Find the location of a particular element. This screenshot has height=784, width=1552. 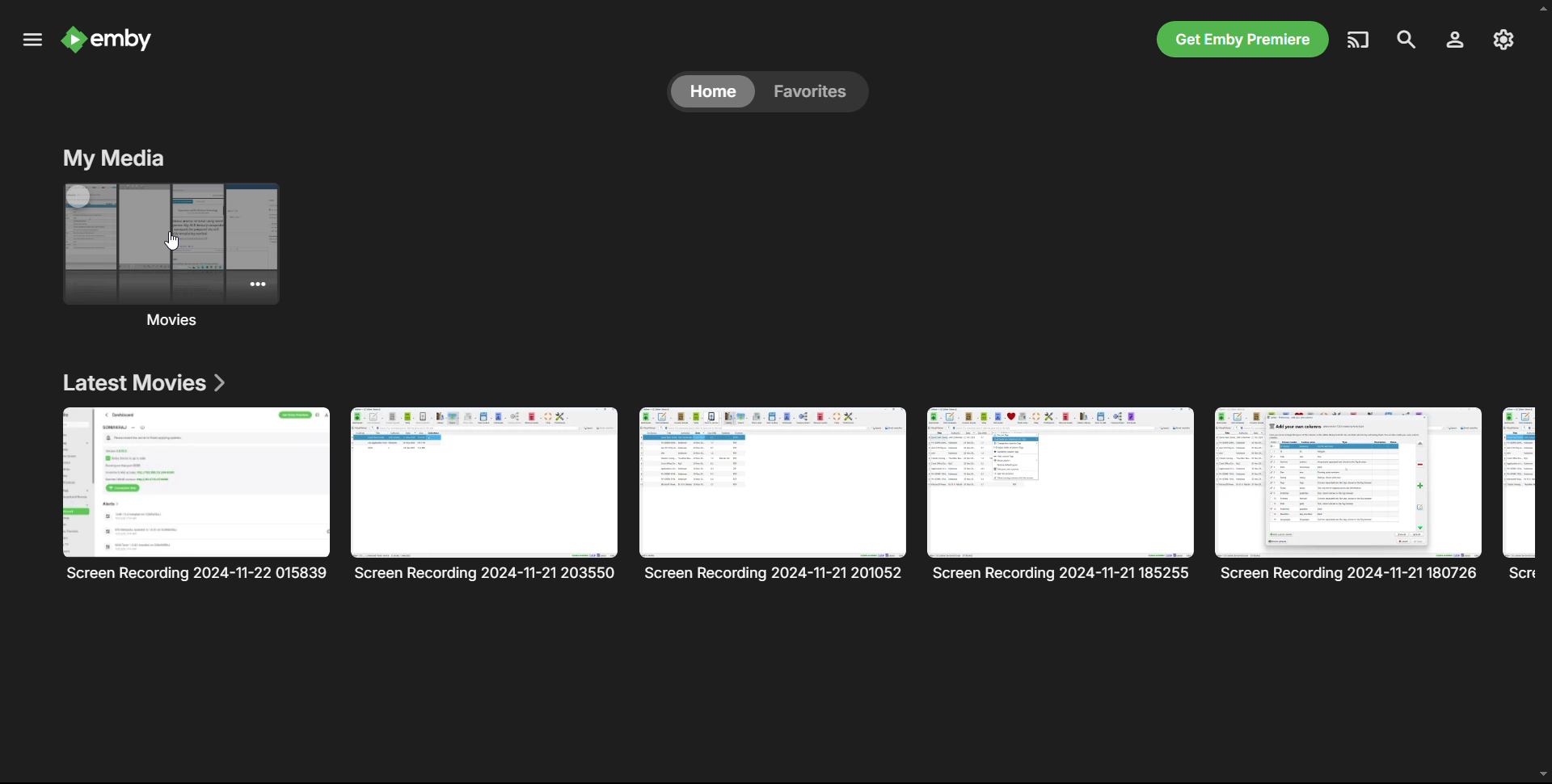

Screen Recording 2024-11-21 201052 is located at coordinates (774, 495).